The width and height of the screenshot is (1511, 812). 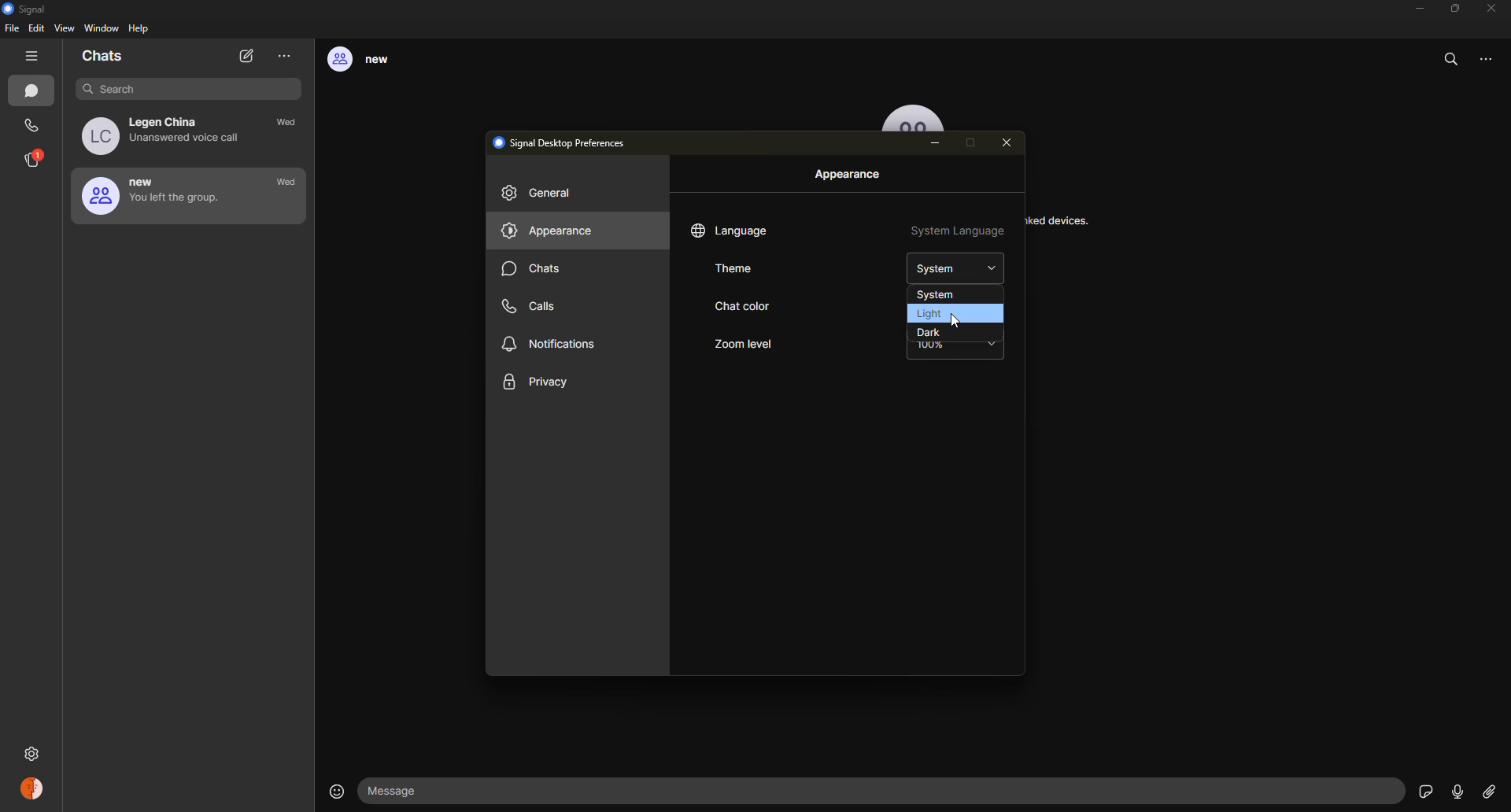 I want to click on signal logo, so click(x=29, y=9).